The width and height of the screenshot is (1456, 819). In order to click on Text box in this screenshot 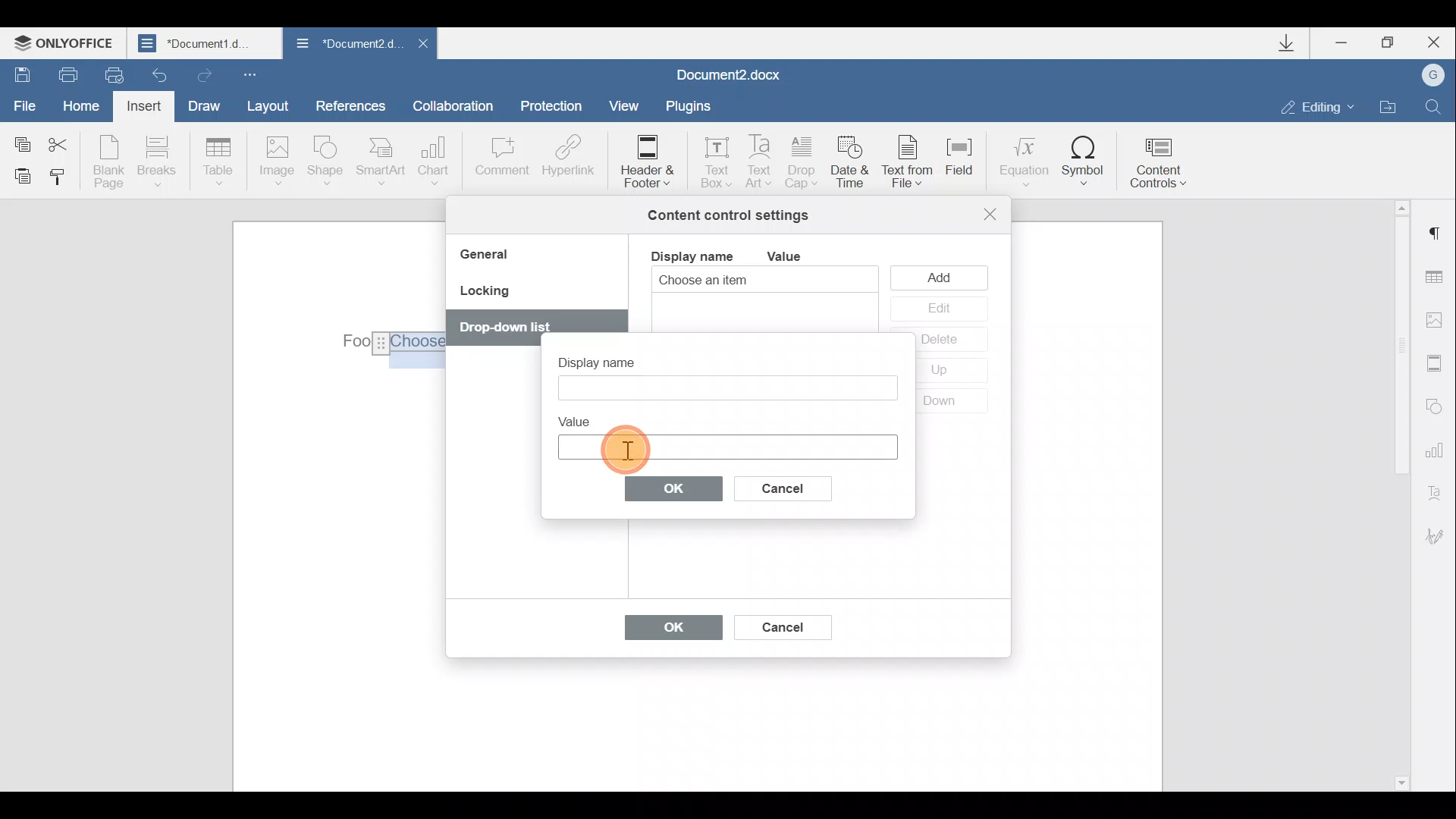, I will do `click(725, 388)`.